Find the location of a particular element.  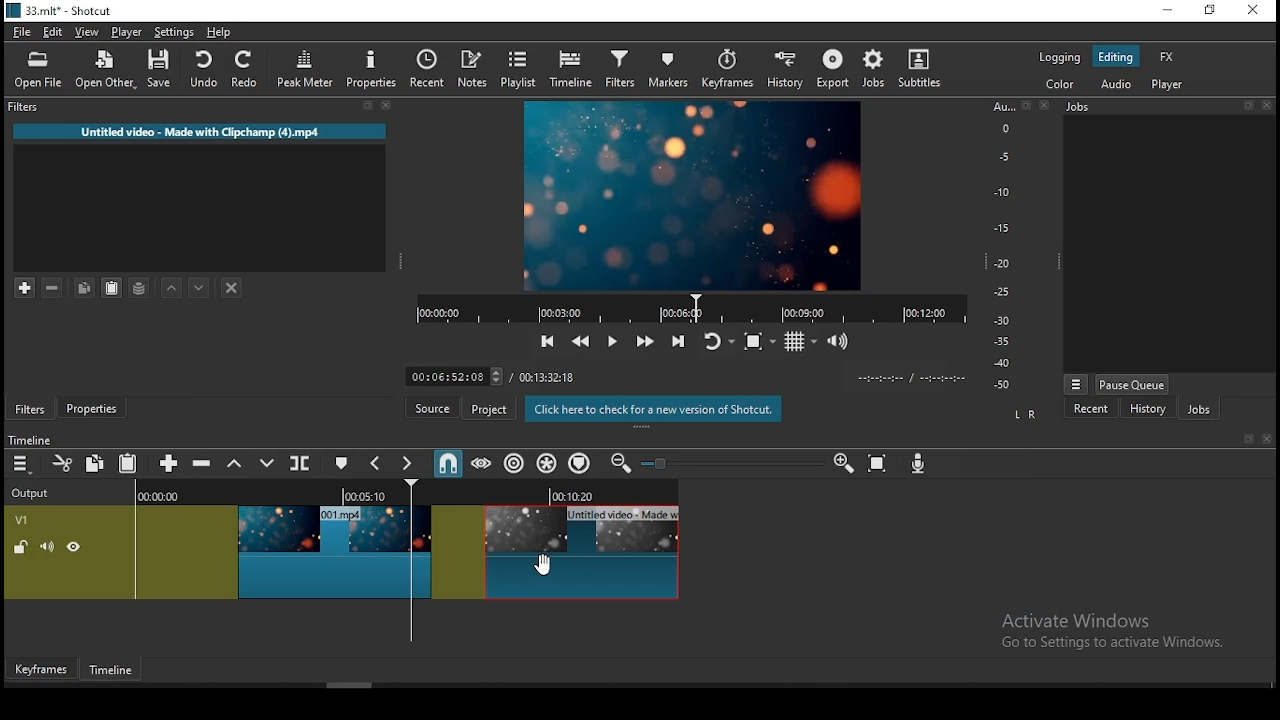

(un)hide is located at coordinates (76, 547).